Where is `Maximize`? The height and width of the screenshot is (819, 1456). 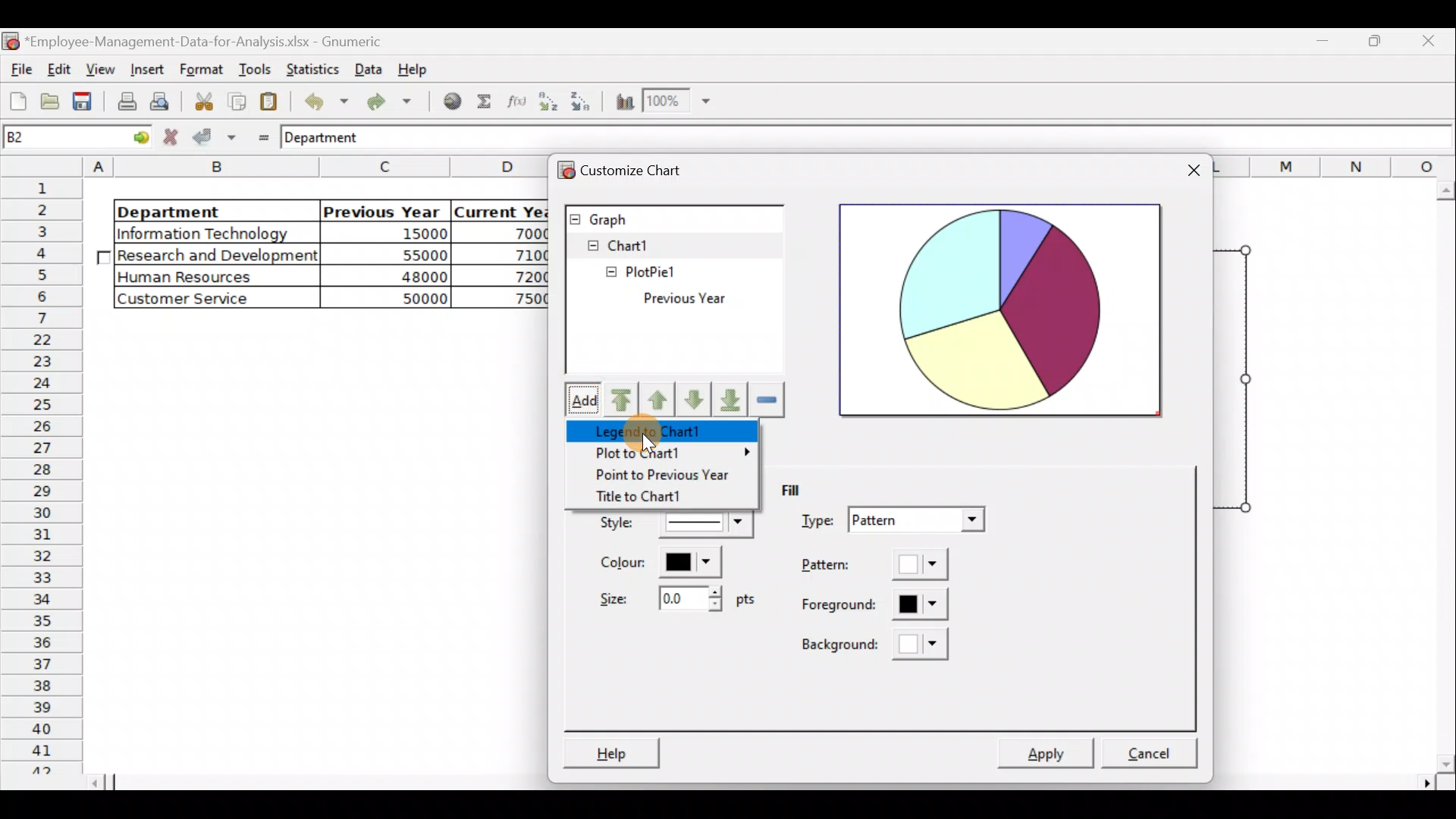
Maximize is located at coordinates (1328, 43).